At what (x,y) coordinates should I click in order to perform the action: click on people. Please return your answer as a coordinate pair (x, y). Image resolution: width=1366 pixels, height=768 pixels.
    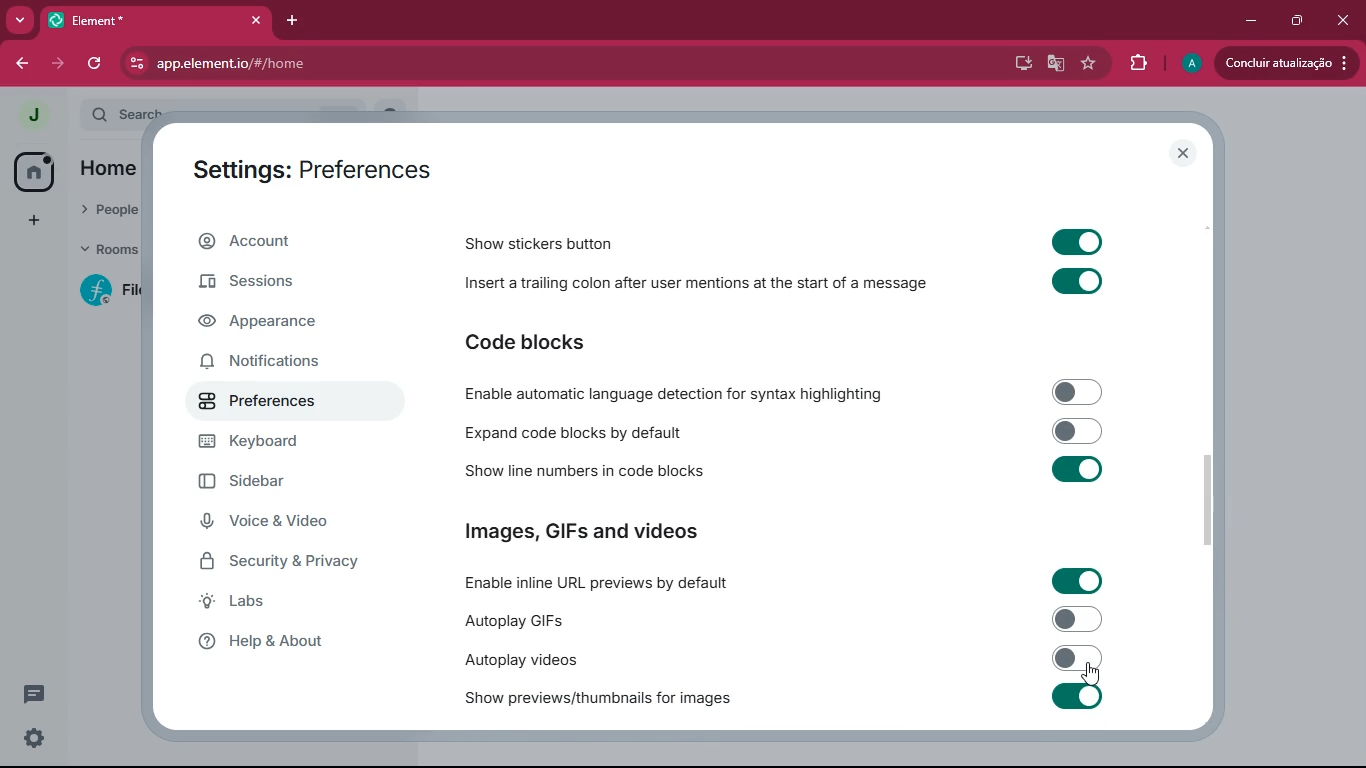
    Looking at the image, I should click on (110, 211).